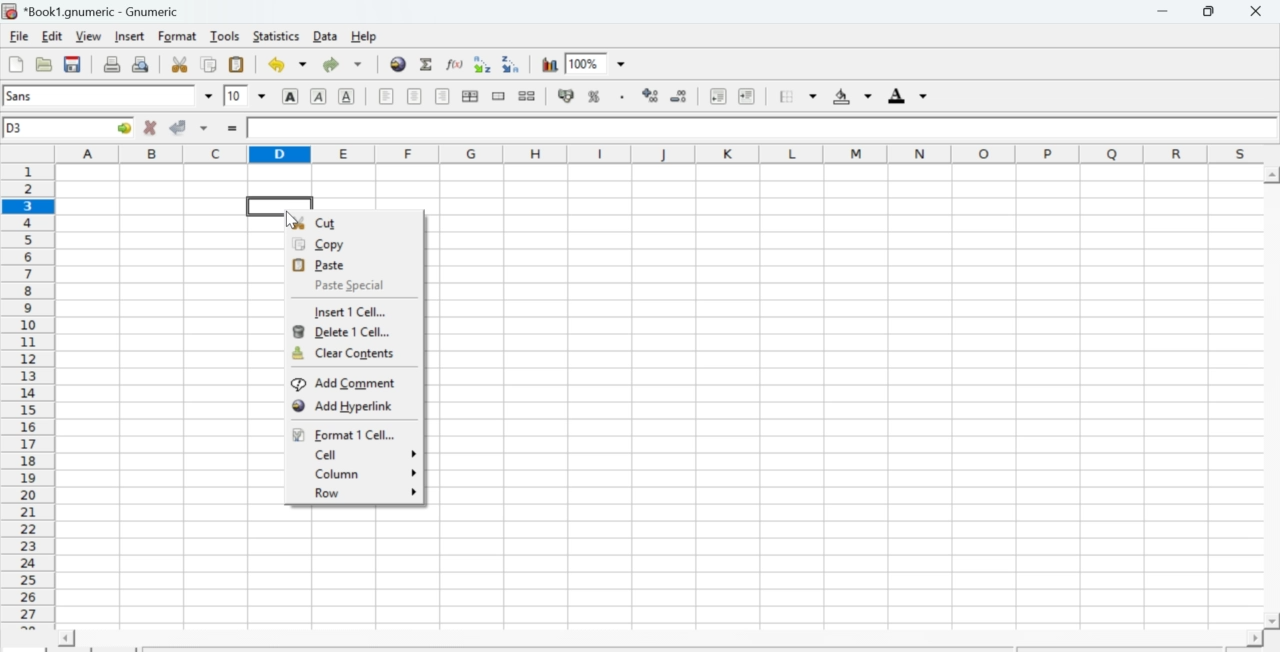 Image resolution: width=1280 pixels, height=652 pixels. Describe the element at coordinates (346, 285) in the screenshot. I see `Paste Special` at that location.